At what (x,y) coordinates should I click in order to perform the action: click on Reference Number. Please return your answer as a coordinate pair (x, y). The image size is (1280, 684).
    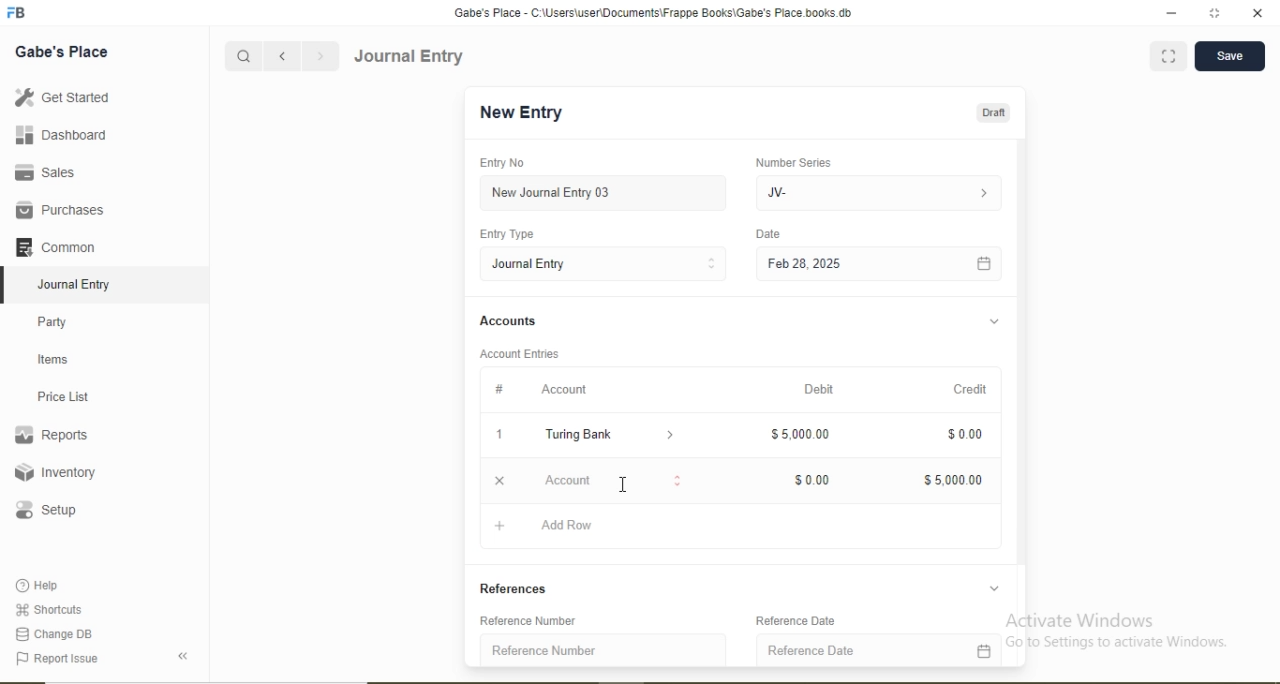
    Looking at the image, I should click on (544, 650).